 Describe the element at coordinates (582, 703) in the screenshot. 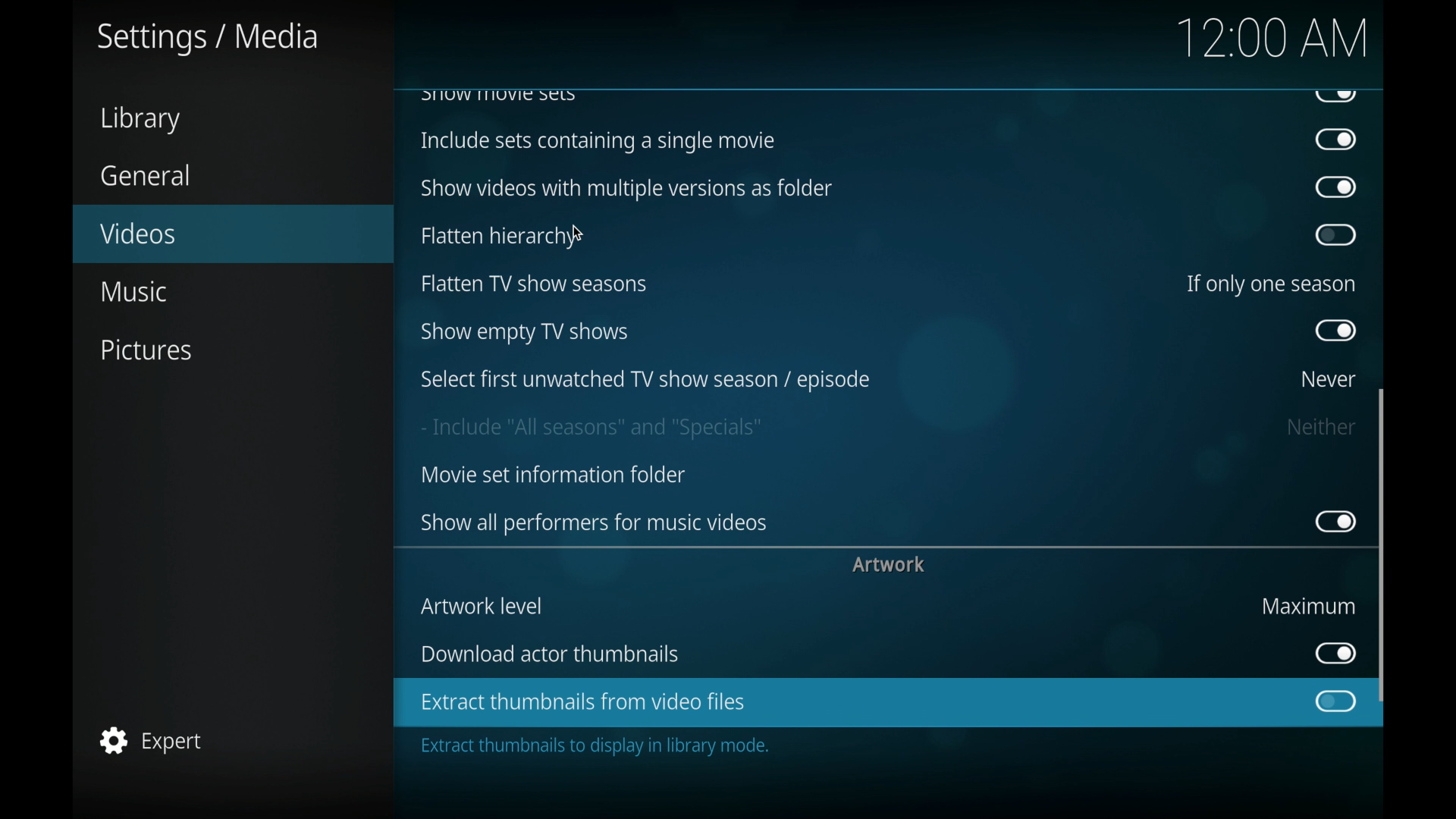

I see `enable extract thumbnails from video files` at that location.